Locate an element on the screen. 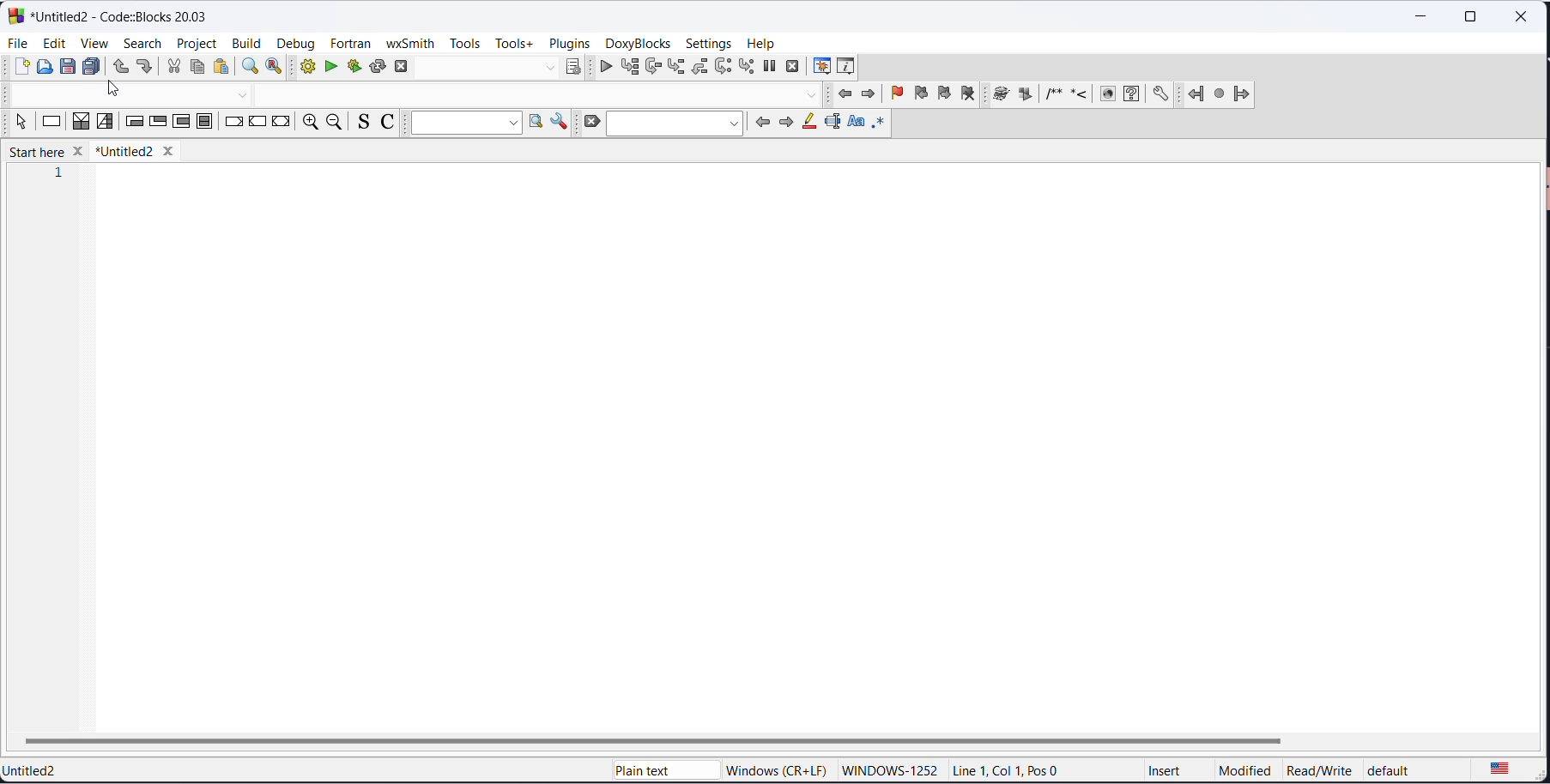 Image resolution: width=1550 pixels, height=784 pixels. replace is located at coordinates (275, 68).